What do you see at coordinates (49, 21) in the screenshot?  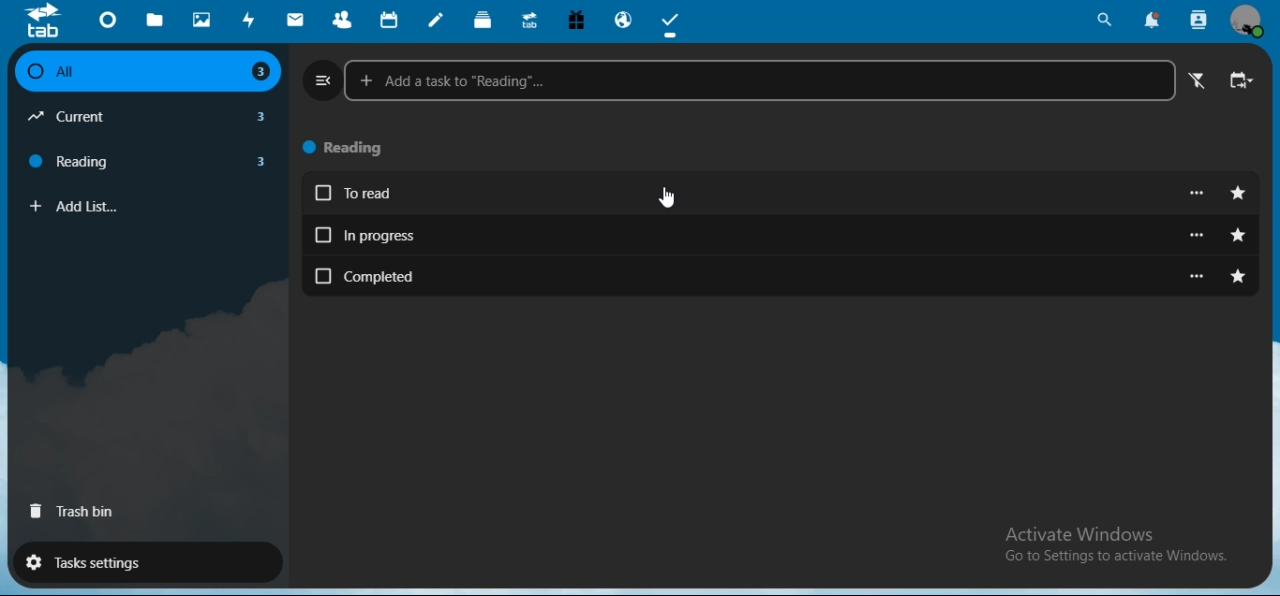 I see `icon` at bounding box center [49, 21].